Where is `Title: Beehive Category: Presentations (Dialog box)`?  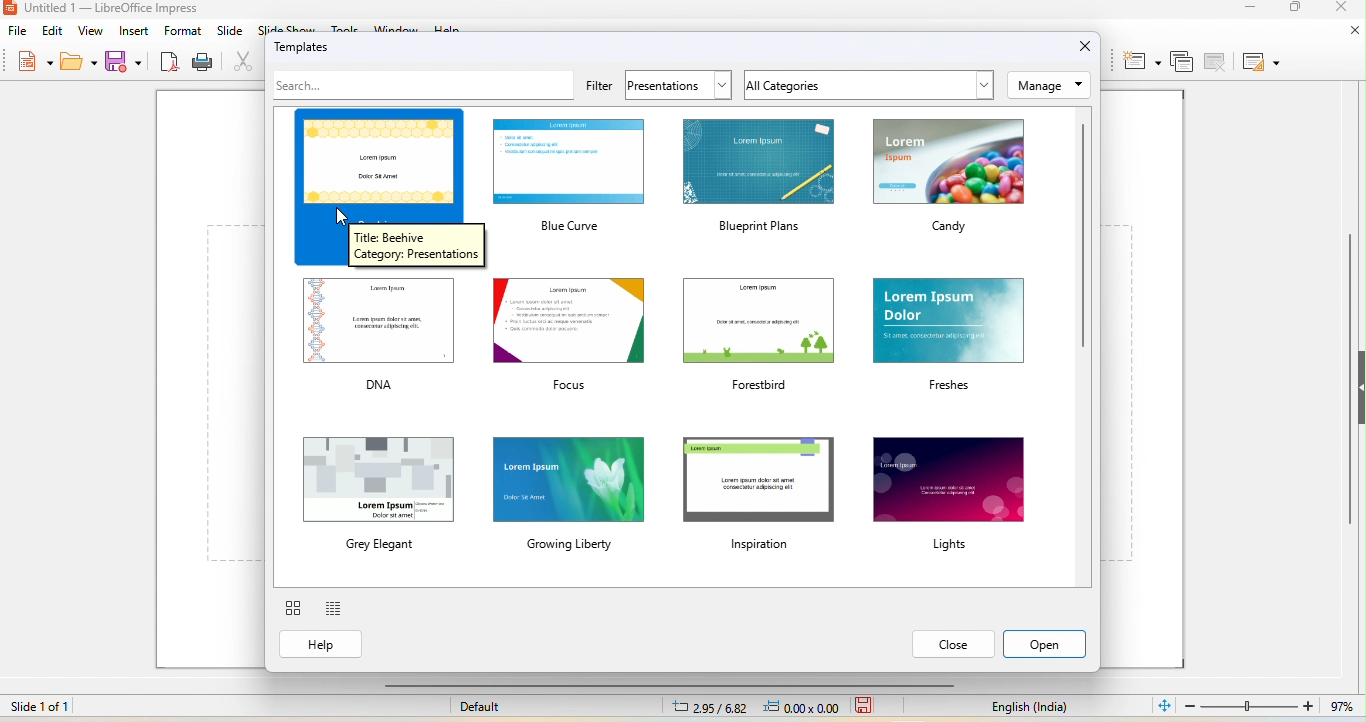
Title: Beehive Category: Presentations (Dialog box) is located at coordinates (416, 246).